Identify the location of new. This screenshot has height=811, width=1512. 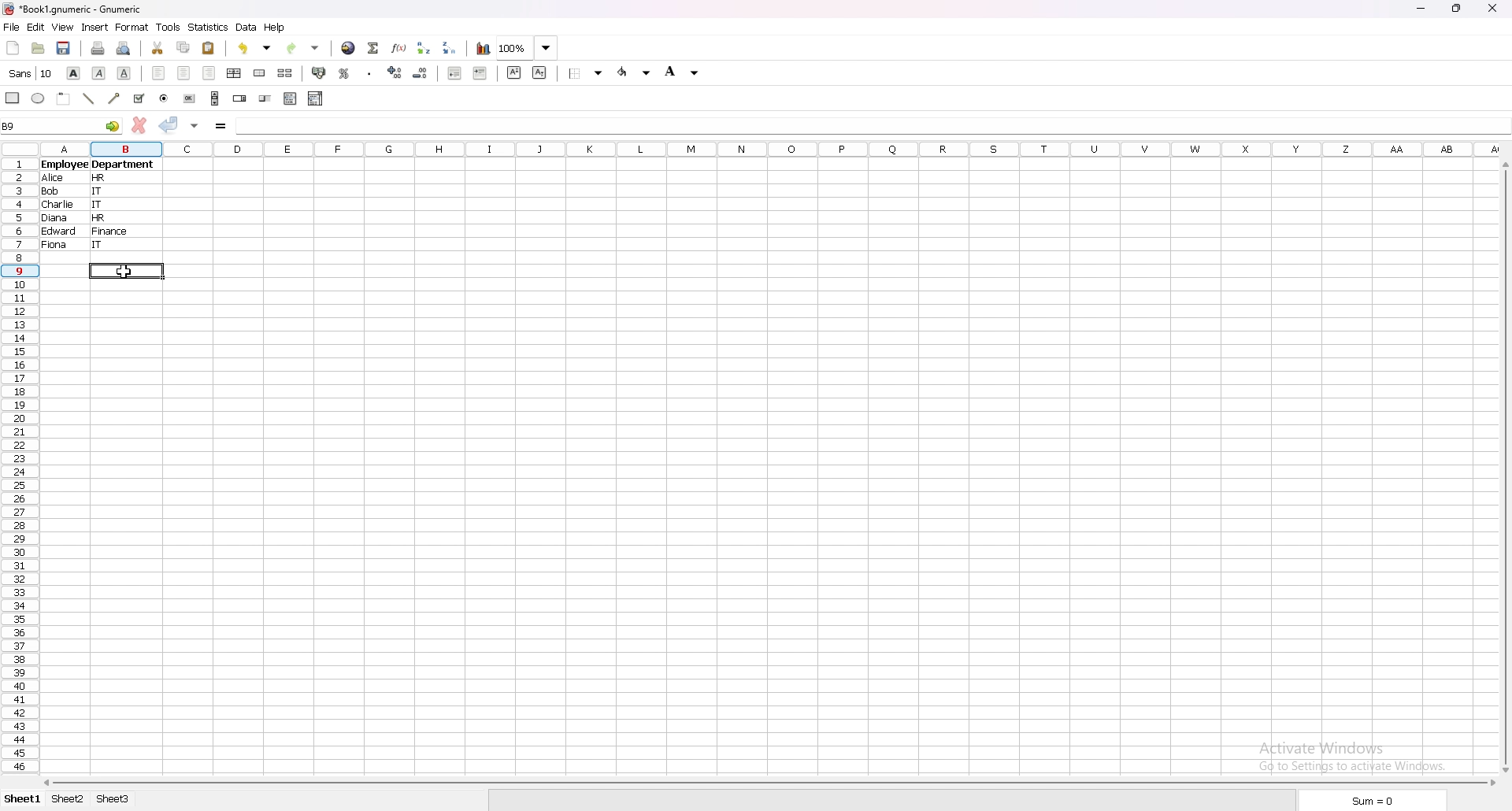
(12, 48).